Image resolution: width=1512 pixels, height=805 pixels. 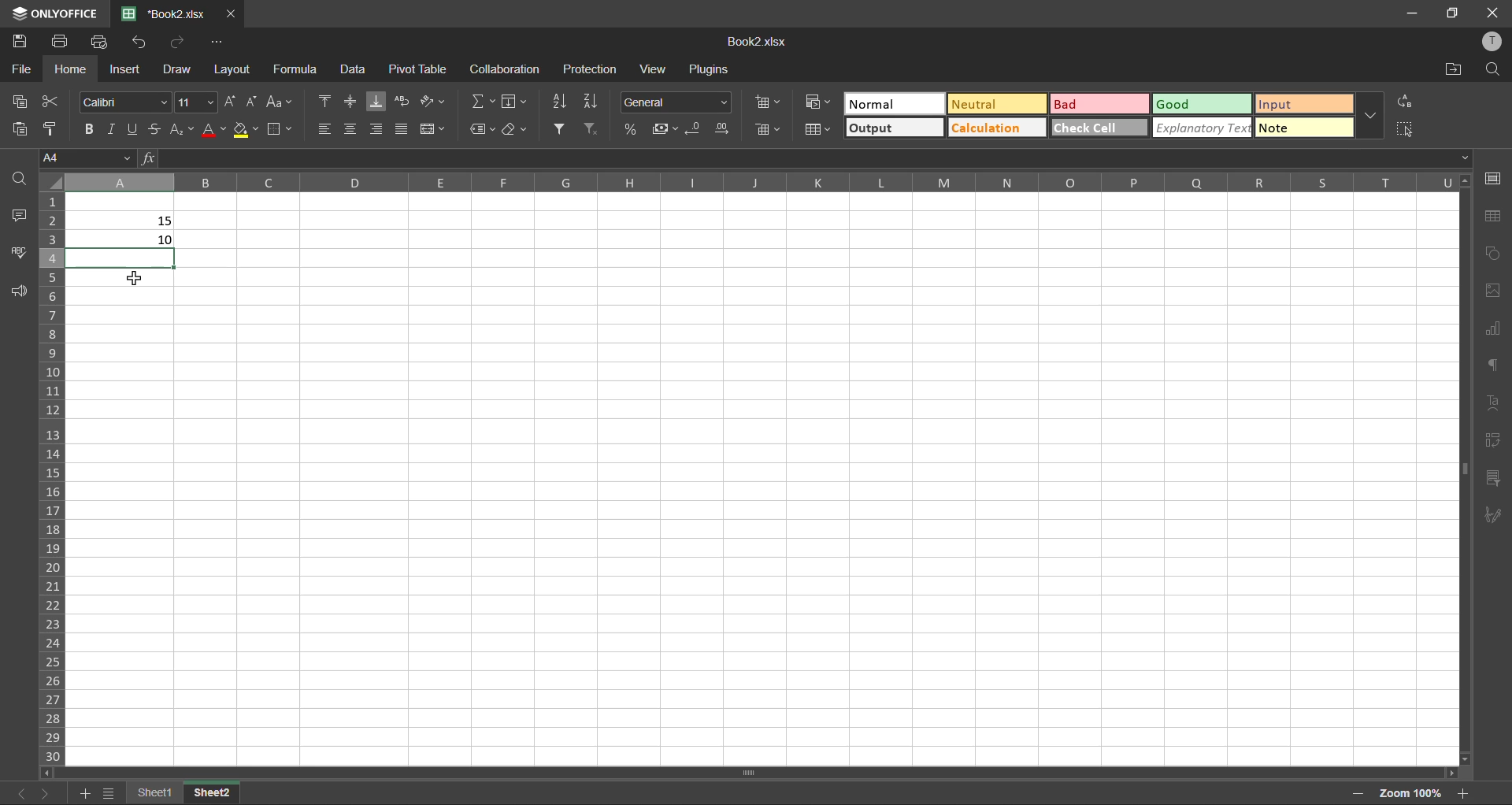 I want to click on clear all, so click(x=517, y=131).